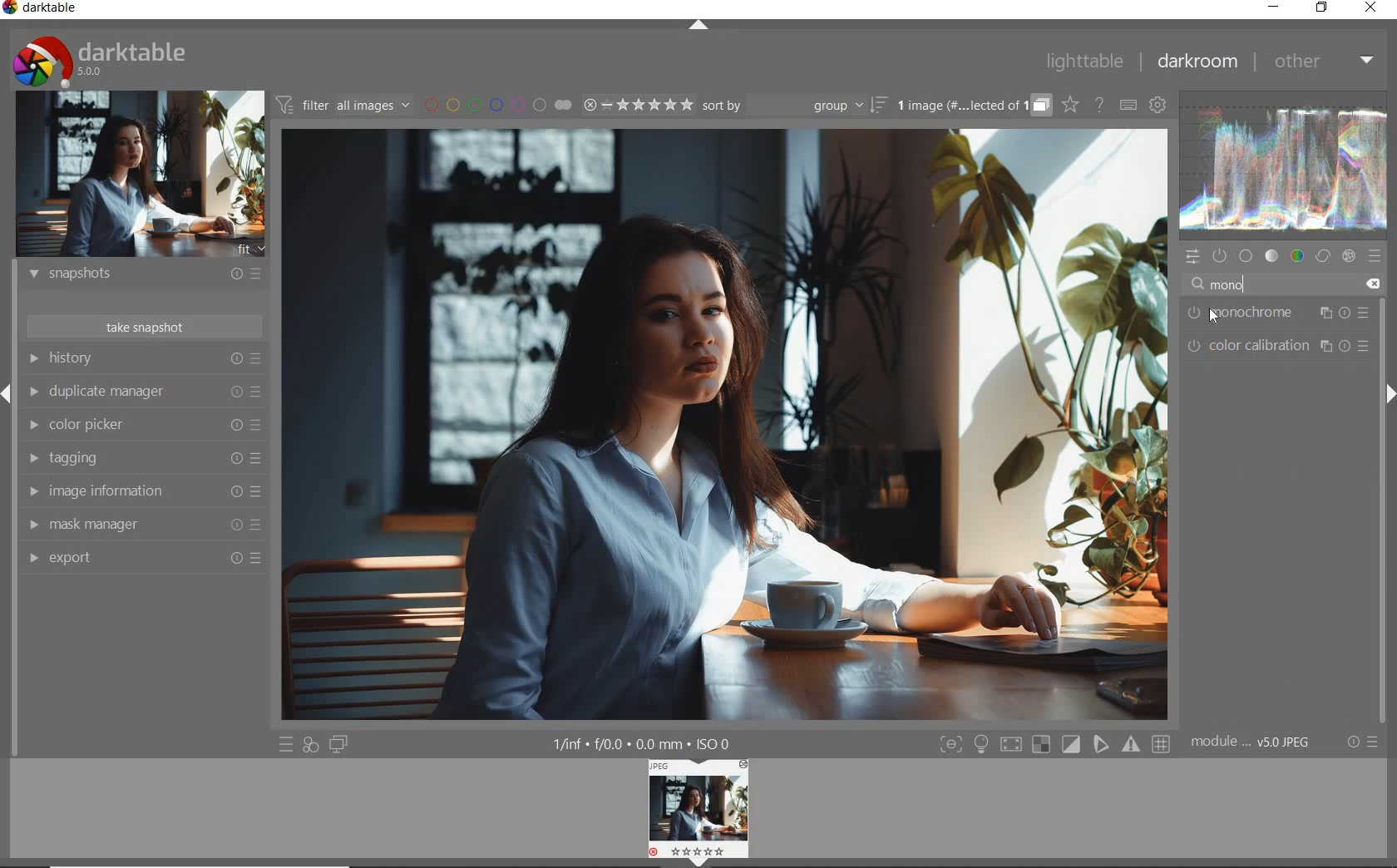  What do you see at coordinates (101, 61) in the screenshot?
I see `system logo` at bounding box center [101, 61].